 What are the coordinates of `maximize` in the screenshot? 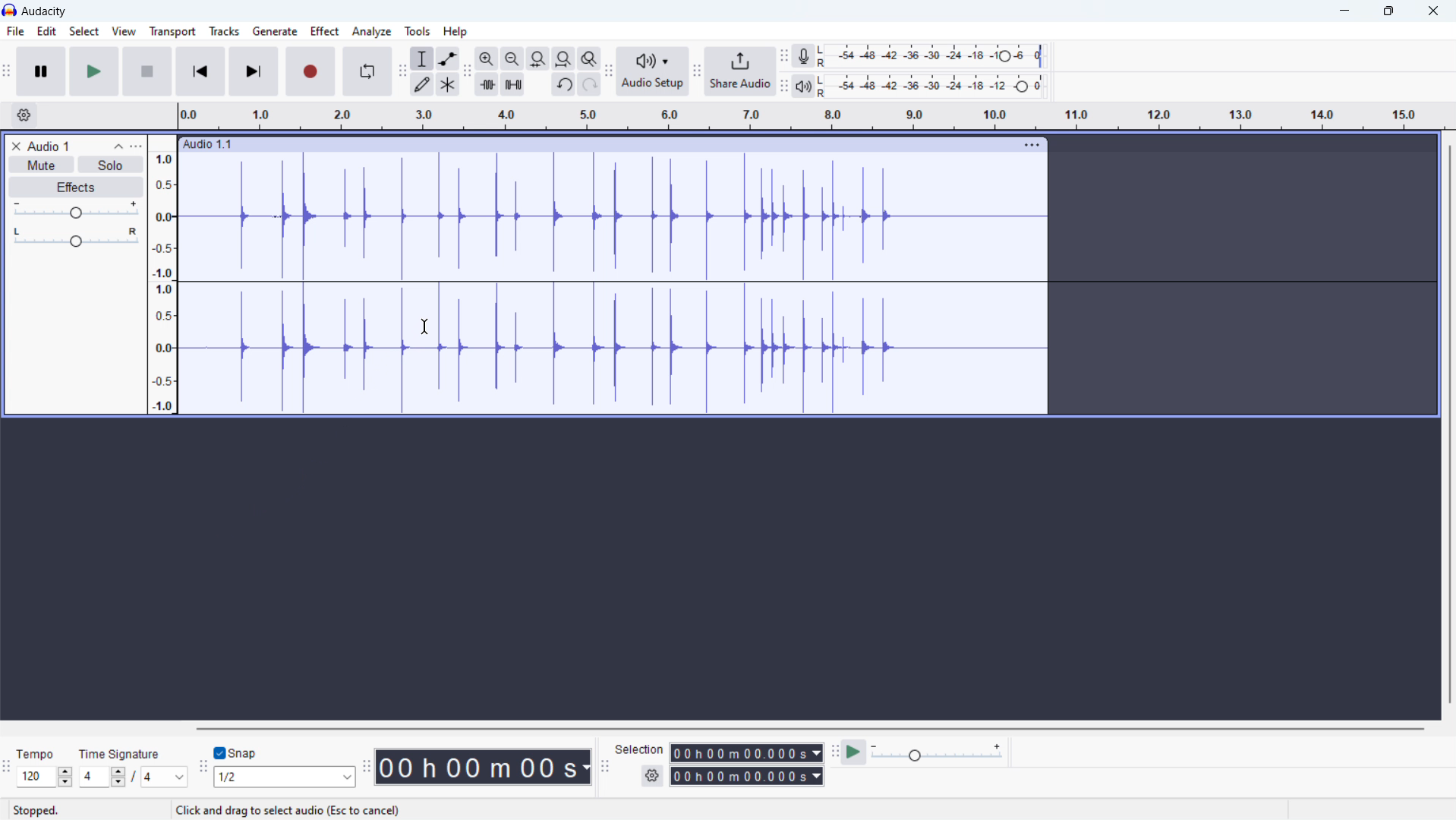 It's located at (1387, 11).